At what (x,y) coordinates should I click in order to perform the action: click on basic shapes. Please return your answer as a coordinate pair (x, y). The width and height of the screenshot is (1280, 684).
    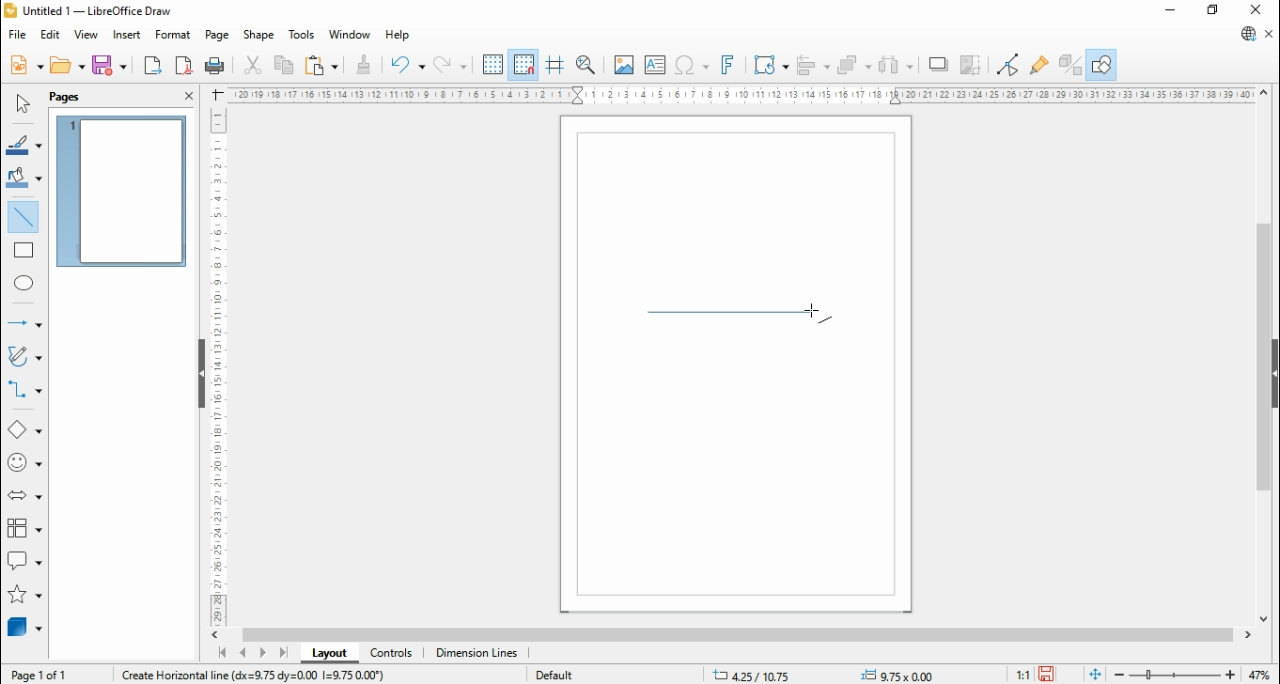
    Looking at the image, I should click on (24, 430).